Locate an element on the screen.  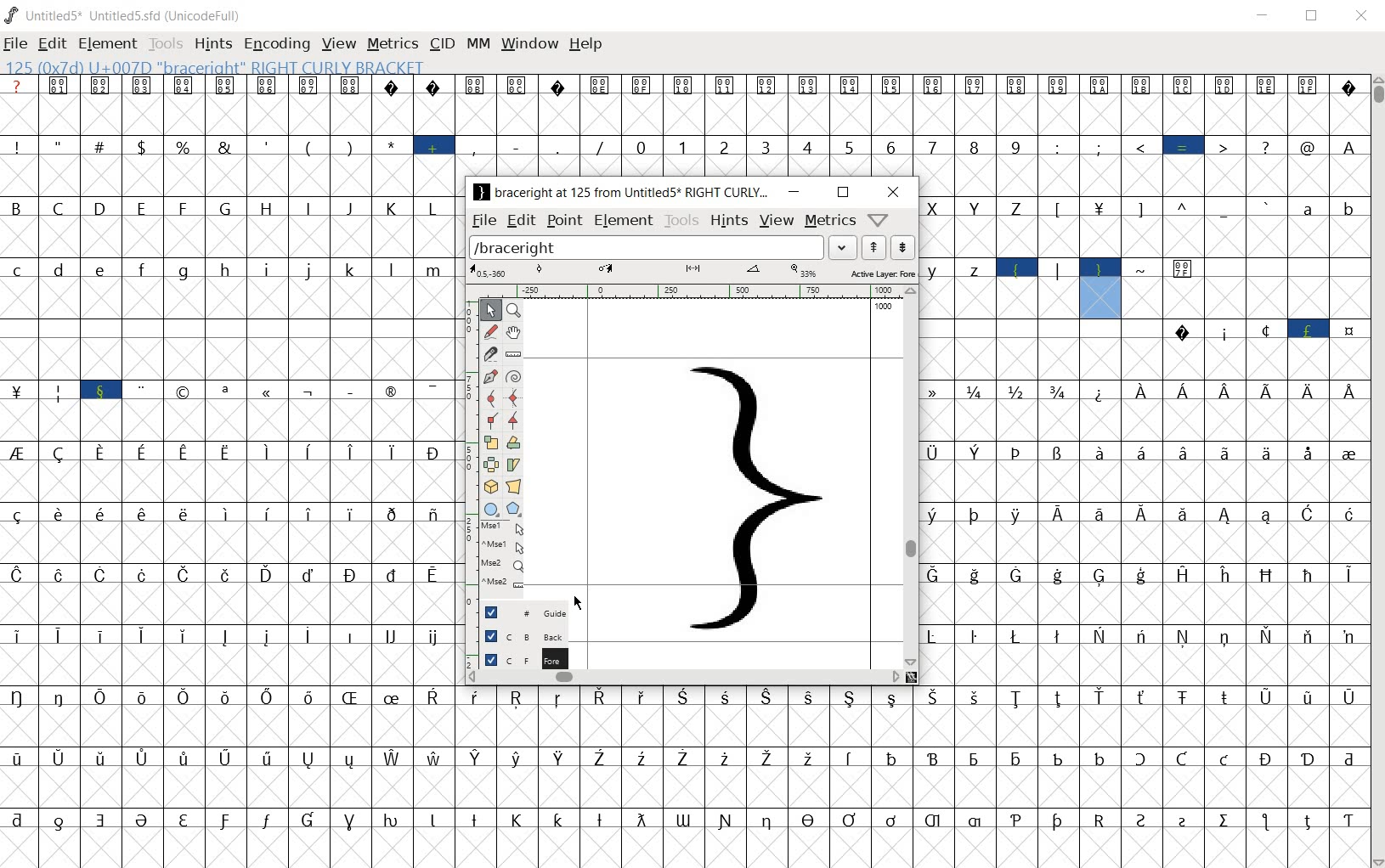
perform a perspective transformation on the selection is located at coordinates (515, 485).